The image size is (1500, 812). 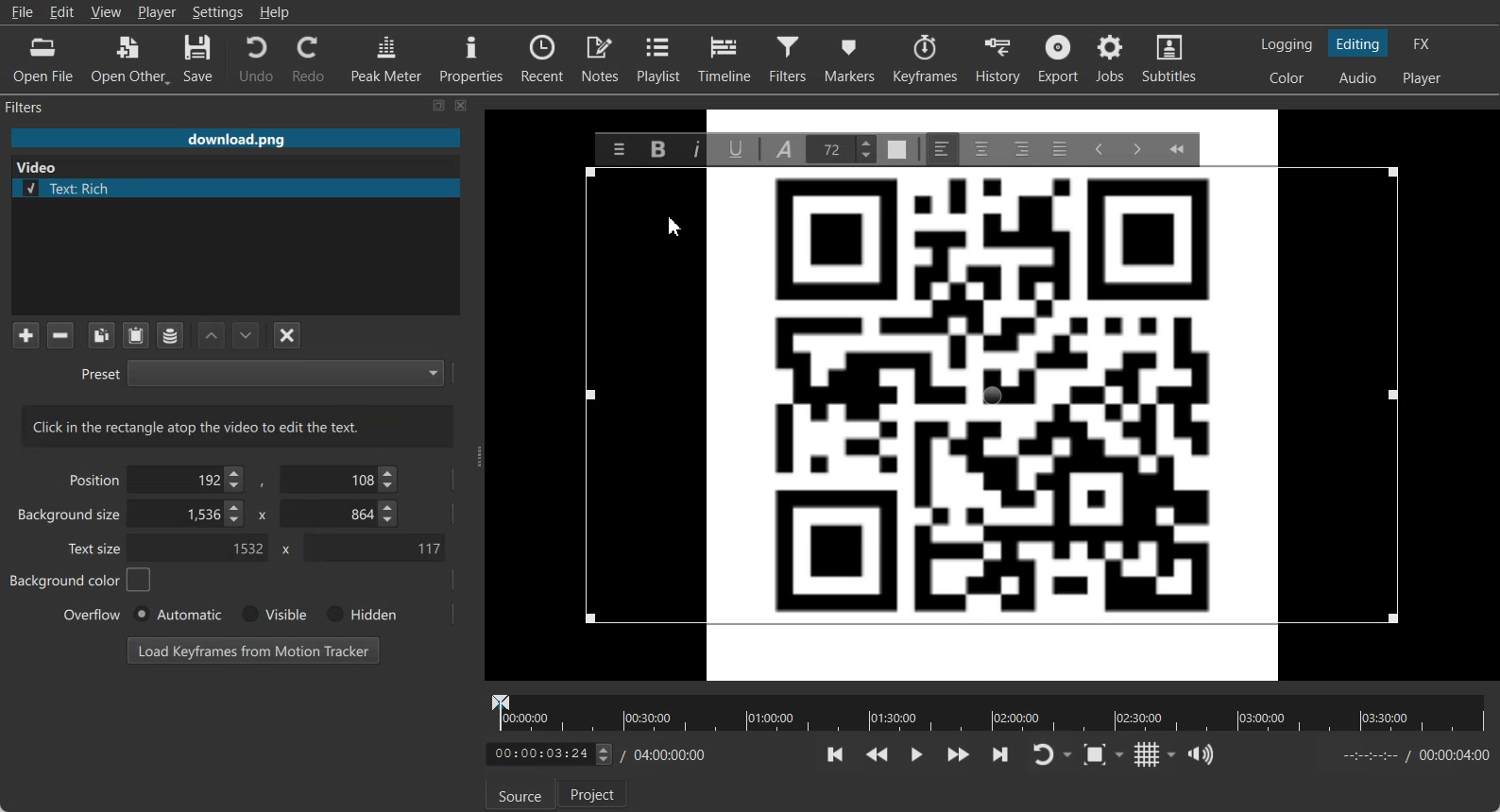 What do you see at coordinates (917, 754) in the screenshot?
I see `Toggle play` at bounding box center [917, 754].